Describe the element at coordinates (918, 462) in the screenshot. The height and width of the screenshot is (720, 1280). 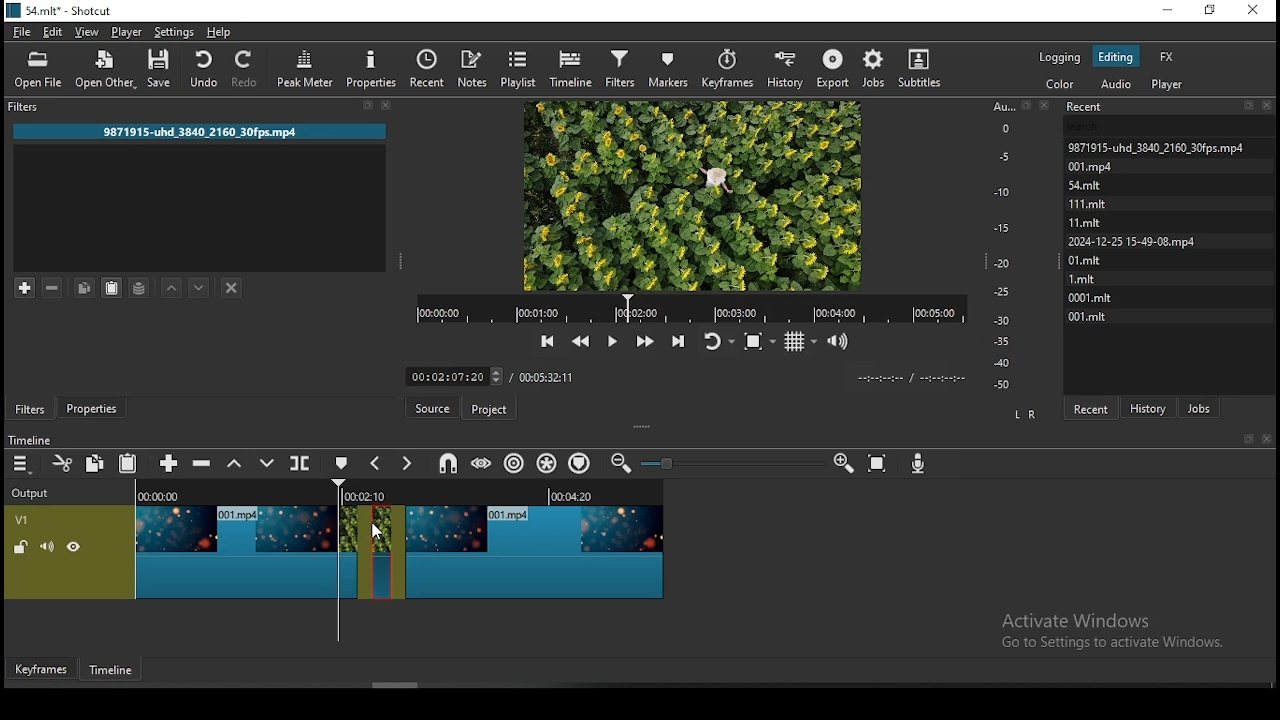
I see `record audio` at that location.